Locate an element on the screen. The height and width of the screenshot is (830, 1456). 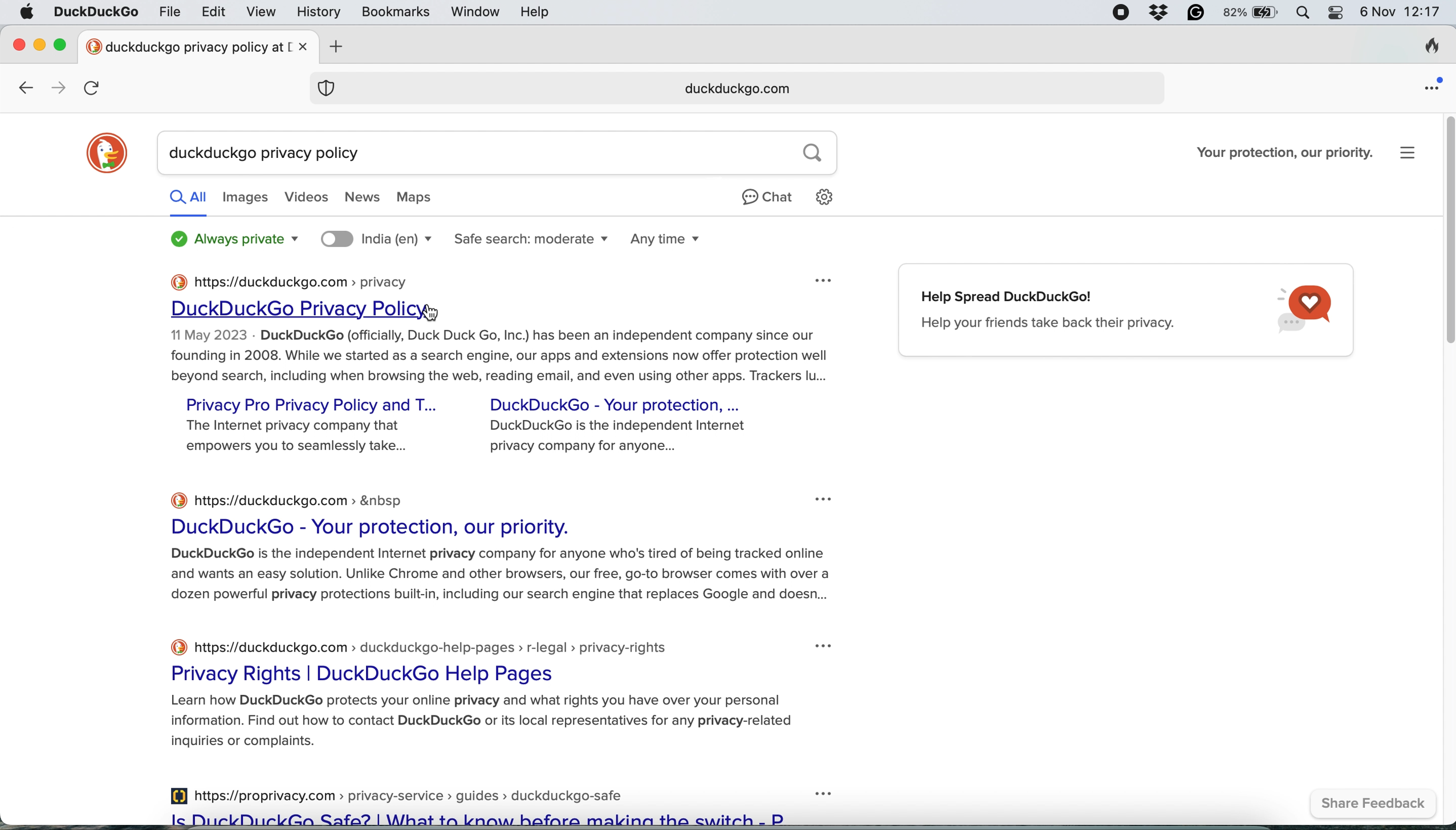
DuckDuckGo - Your protection, our priority. is located at coordinates (369, 528).